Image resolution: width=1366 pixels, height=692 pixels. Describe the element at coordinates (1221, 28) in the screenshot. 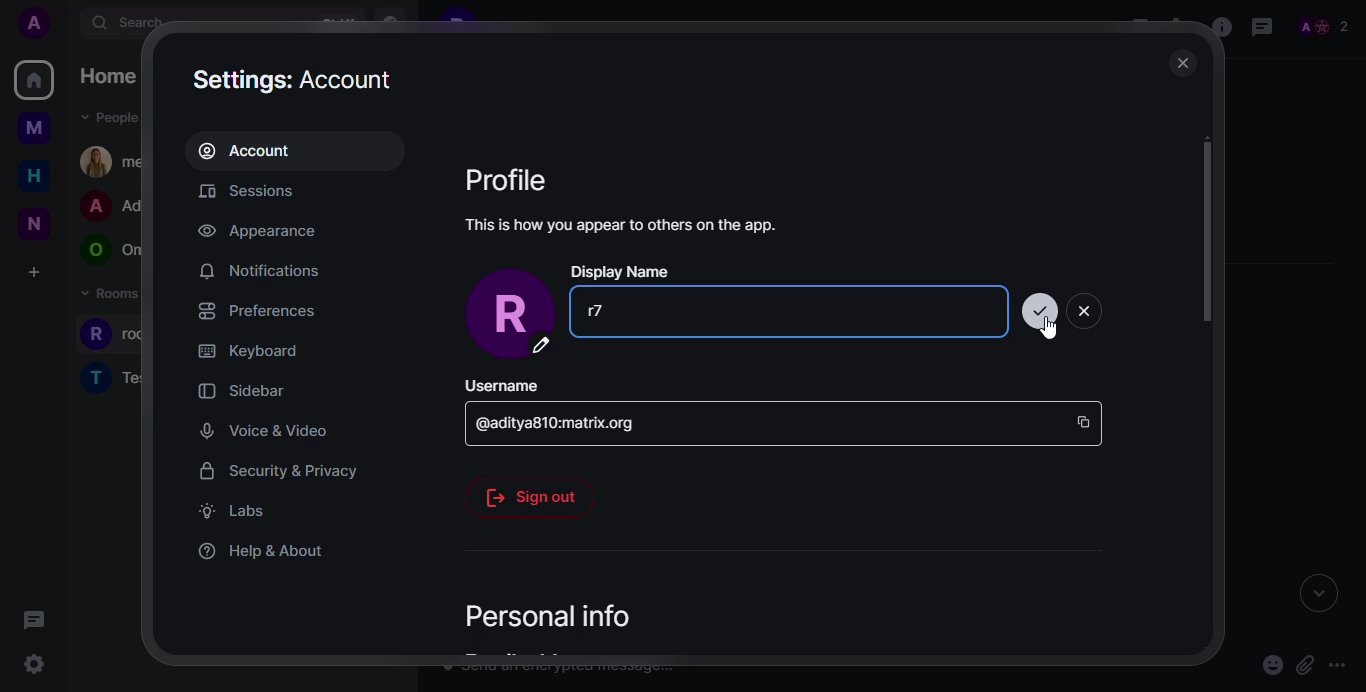

I see `info` at that location.